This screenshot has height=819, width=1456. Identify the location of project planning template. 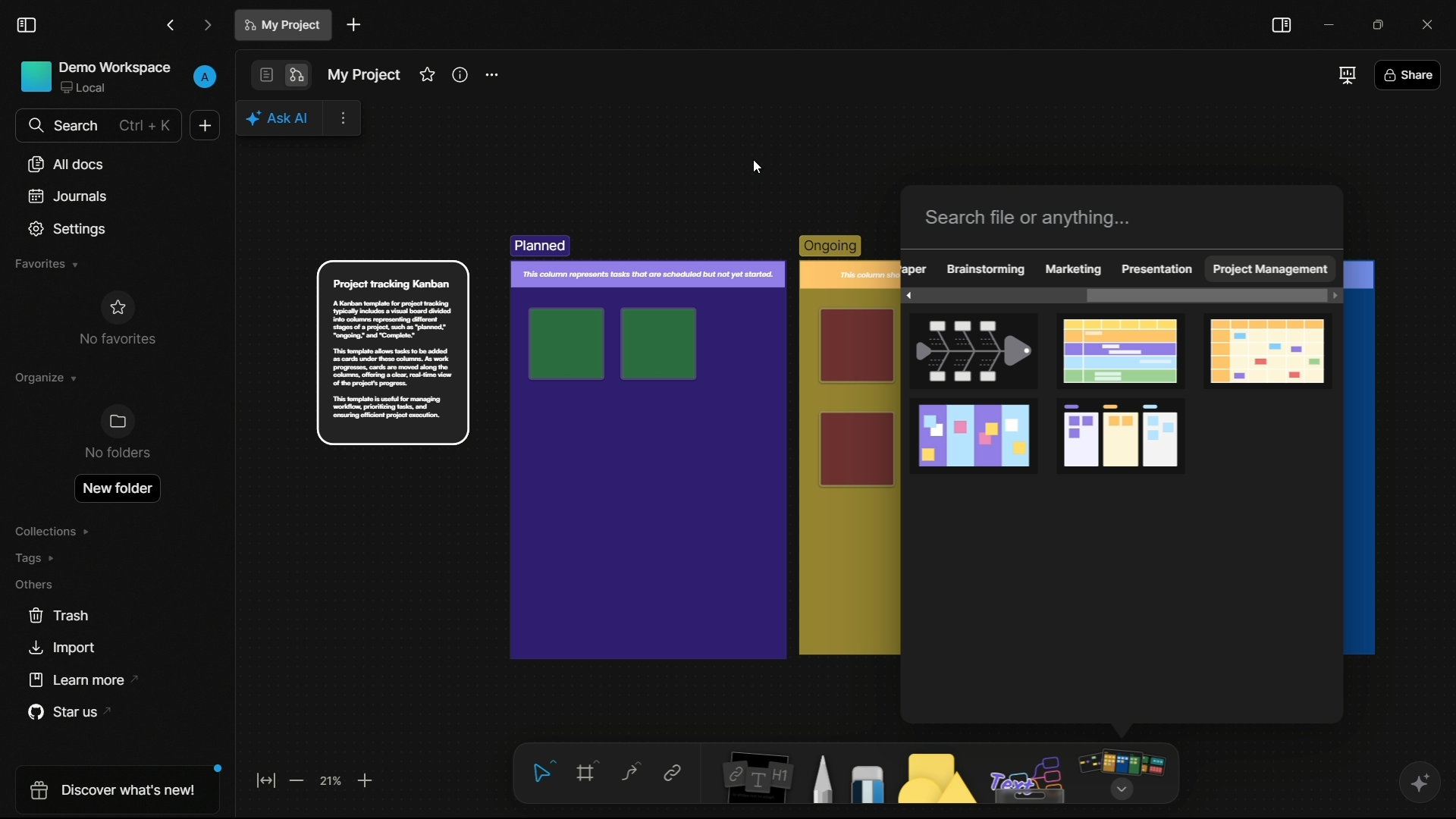
(973, 438).